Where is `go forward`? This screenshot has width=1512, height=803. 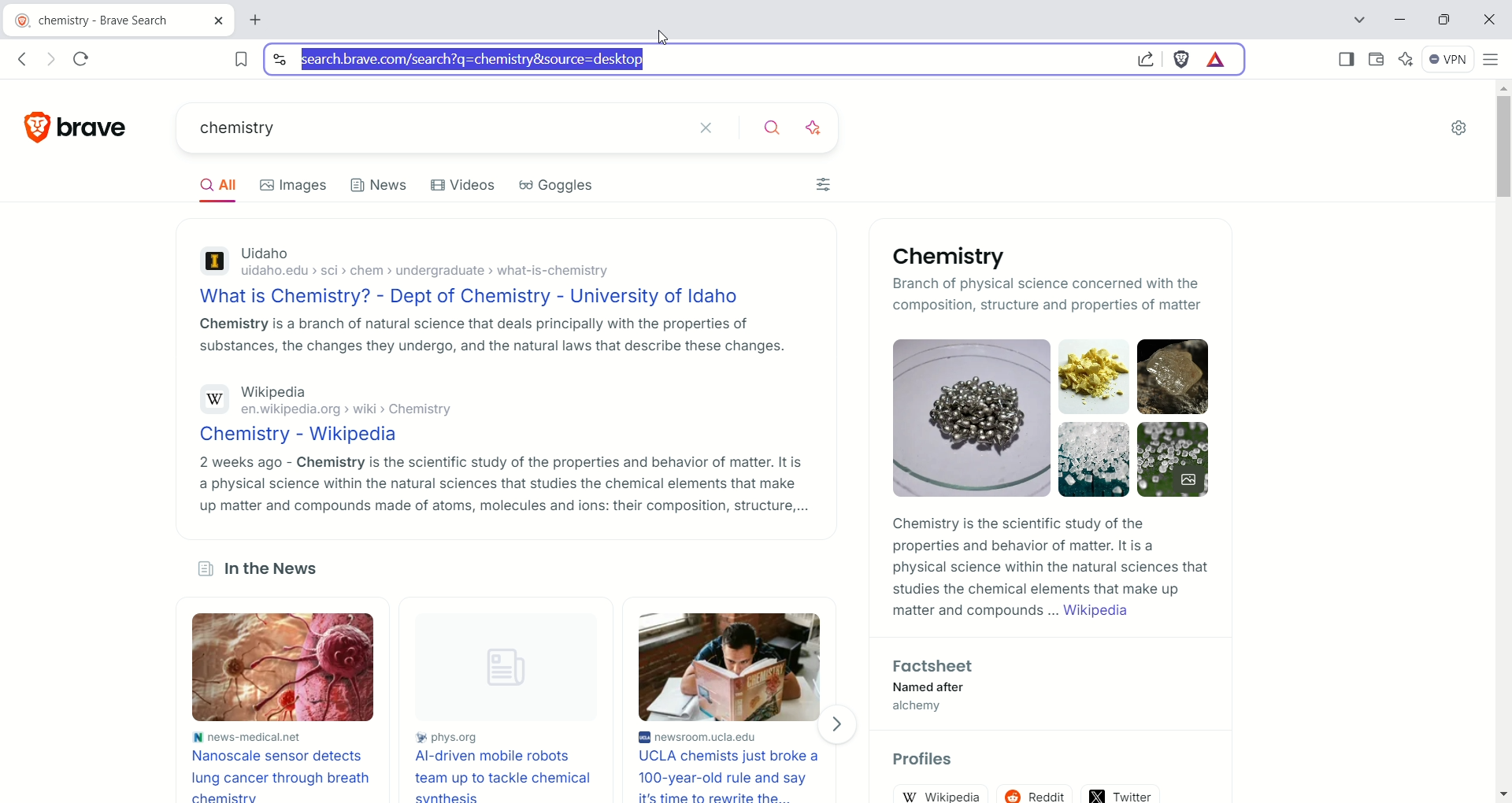 go forward is located at coordinates (54, 60).